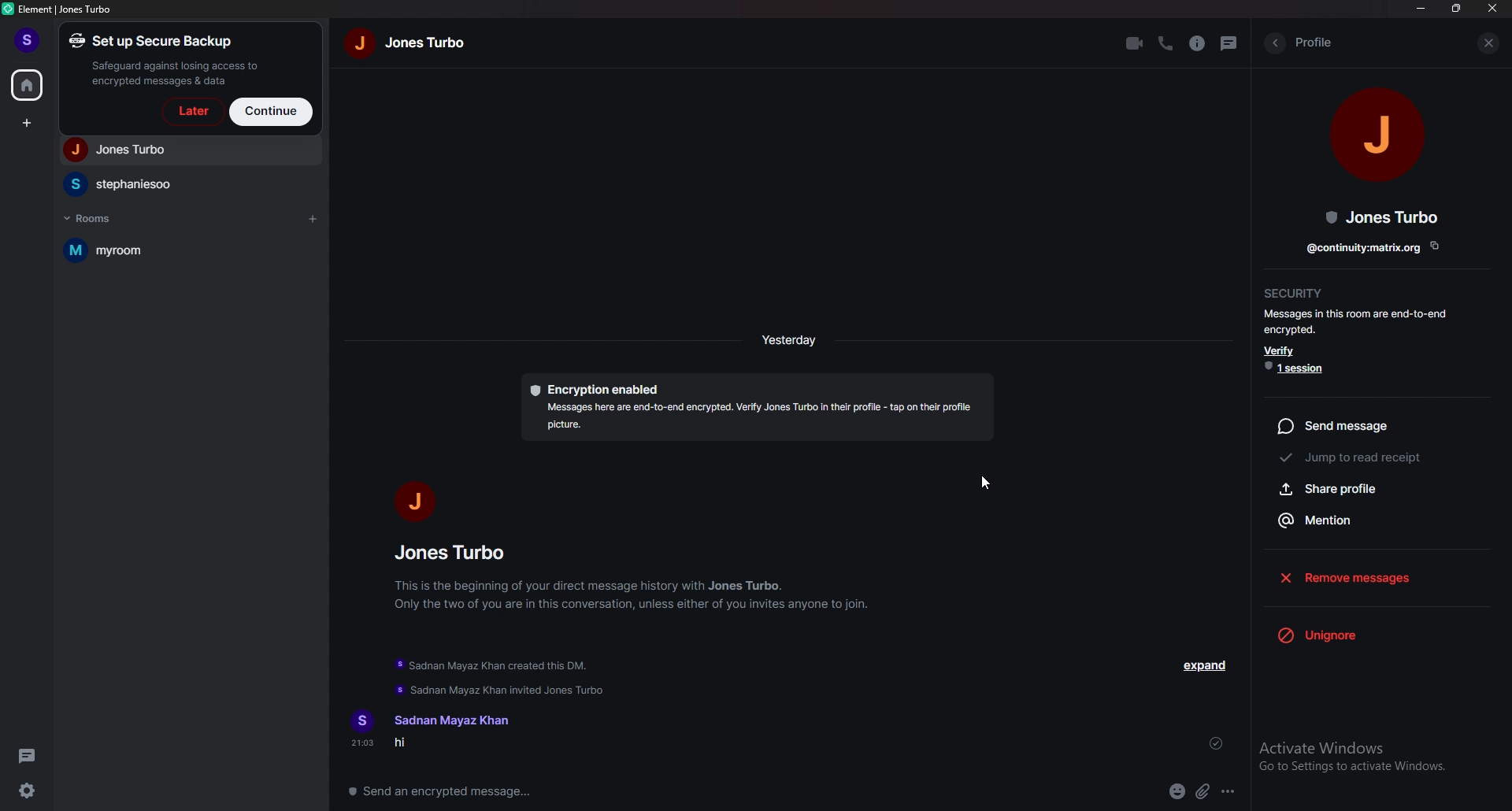  What do you see at coordinates (181, 251) in the screenshot?
I see `room` at bounding box center [181, 251].